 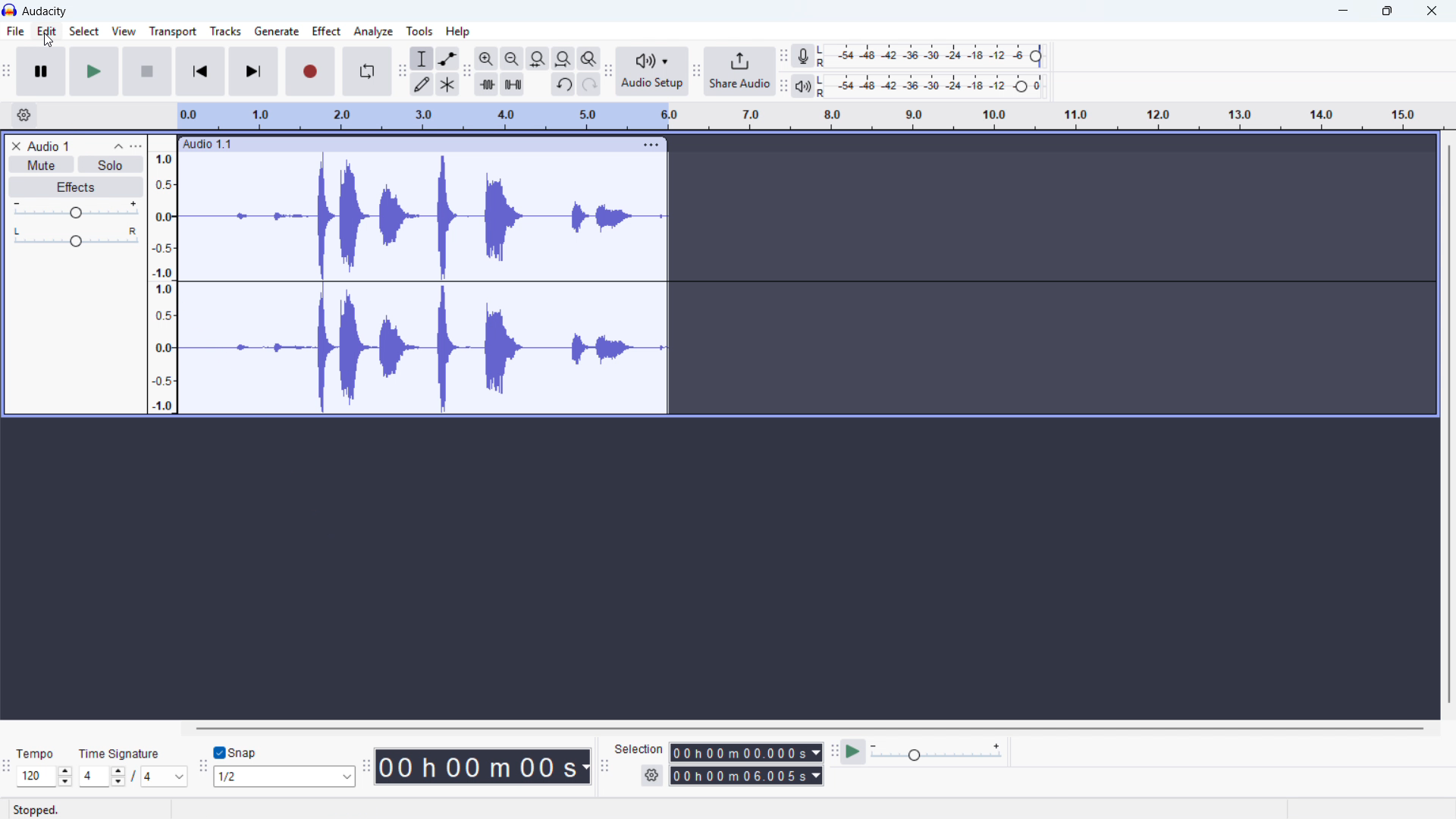 What do you see at coordinates (747, 776) in the screenshot?
I see `end time` at bounding box center [747, 776].